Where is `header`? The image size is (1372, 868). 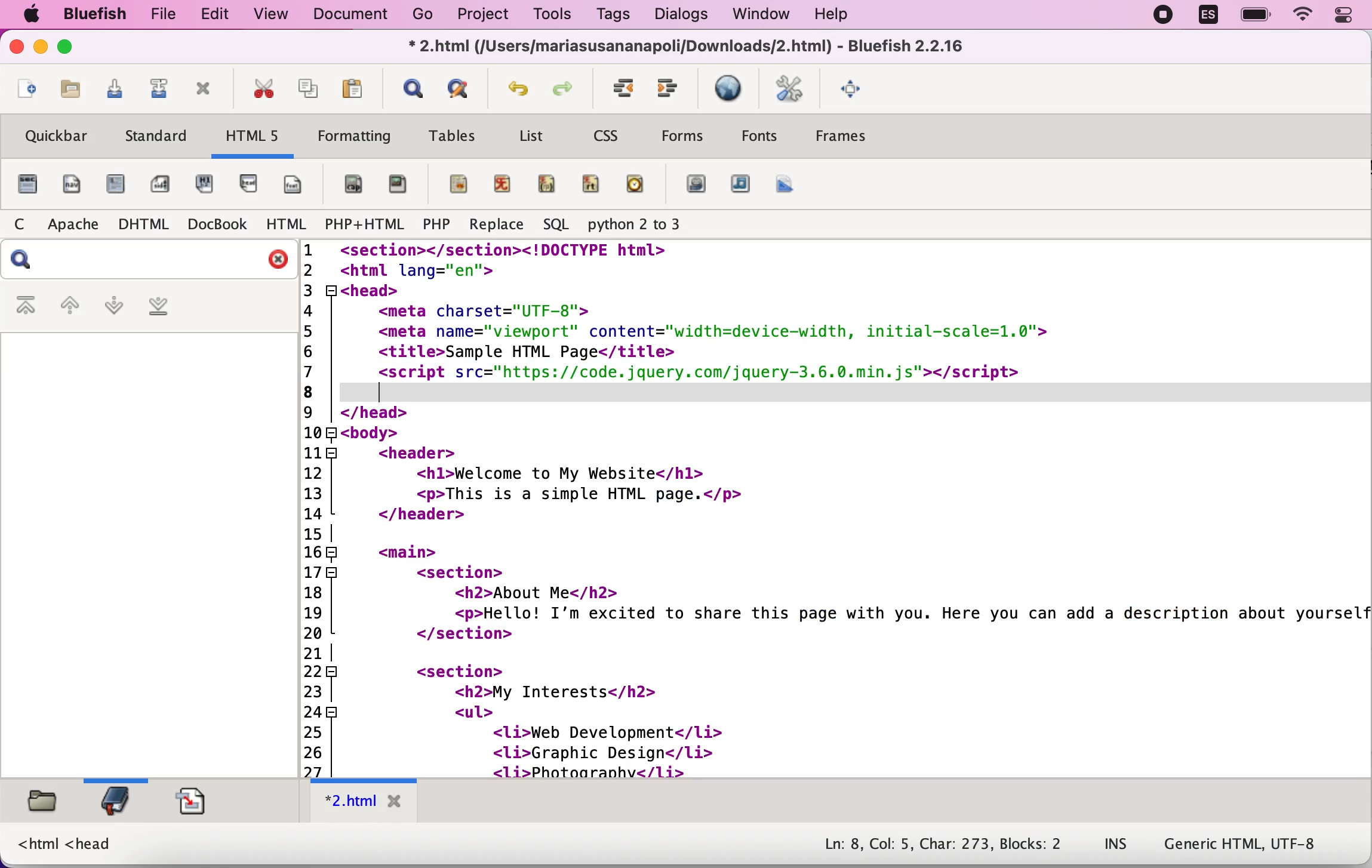
header is located at coordinates (253, 184).